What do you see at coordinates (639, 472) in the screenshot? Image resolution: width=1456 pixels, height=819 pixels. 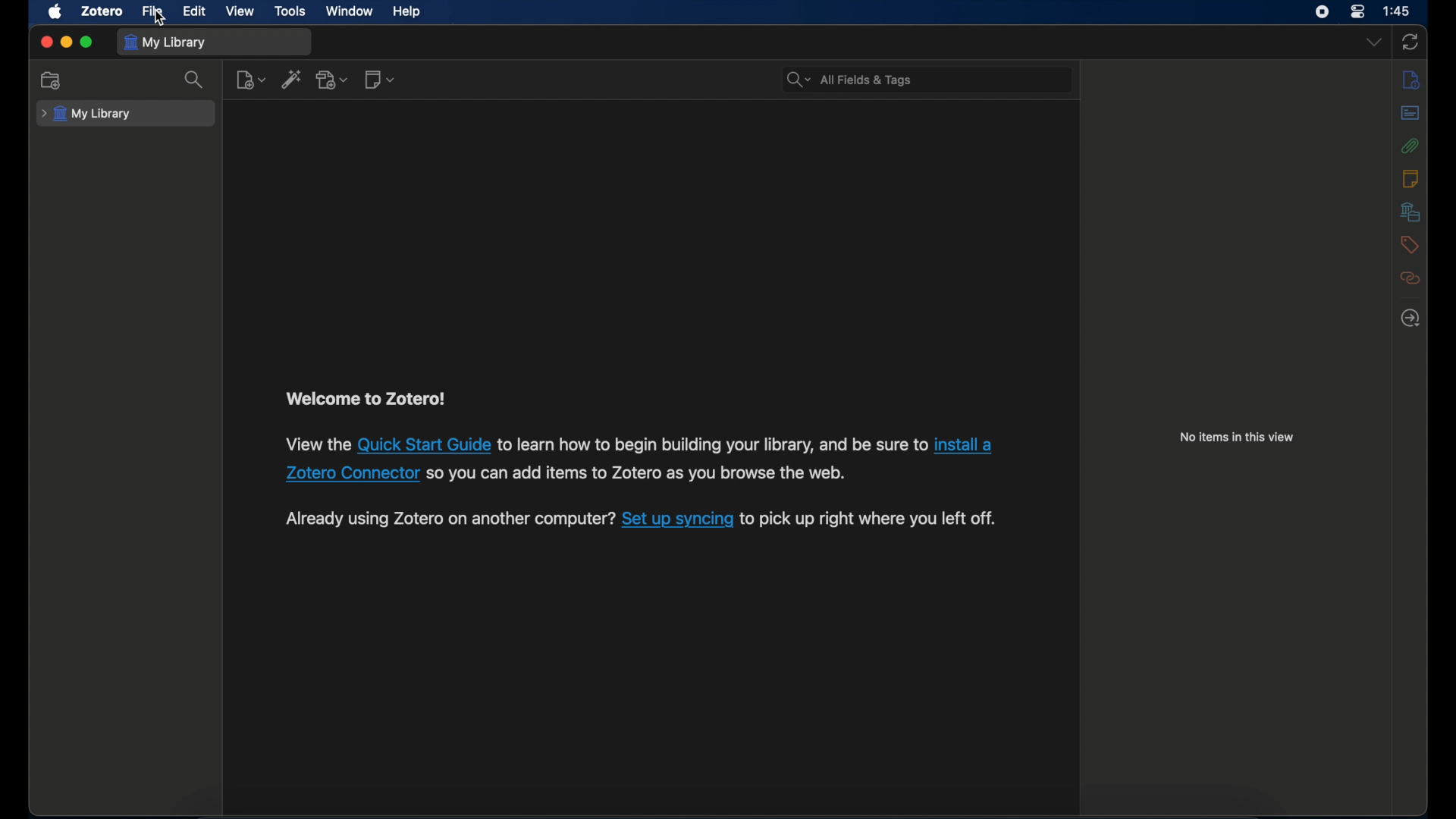 I see `or so you can add items to Zotero as you browse the web.` at bounding box center [639, 472].